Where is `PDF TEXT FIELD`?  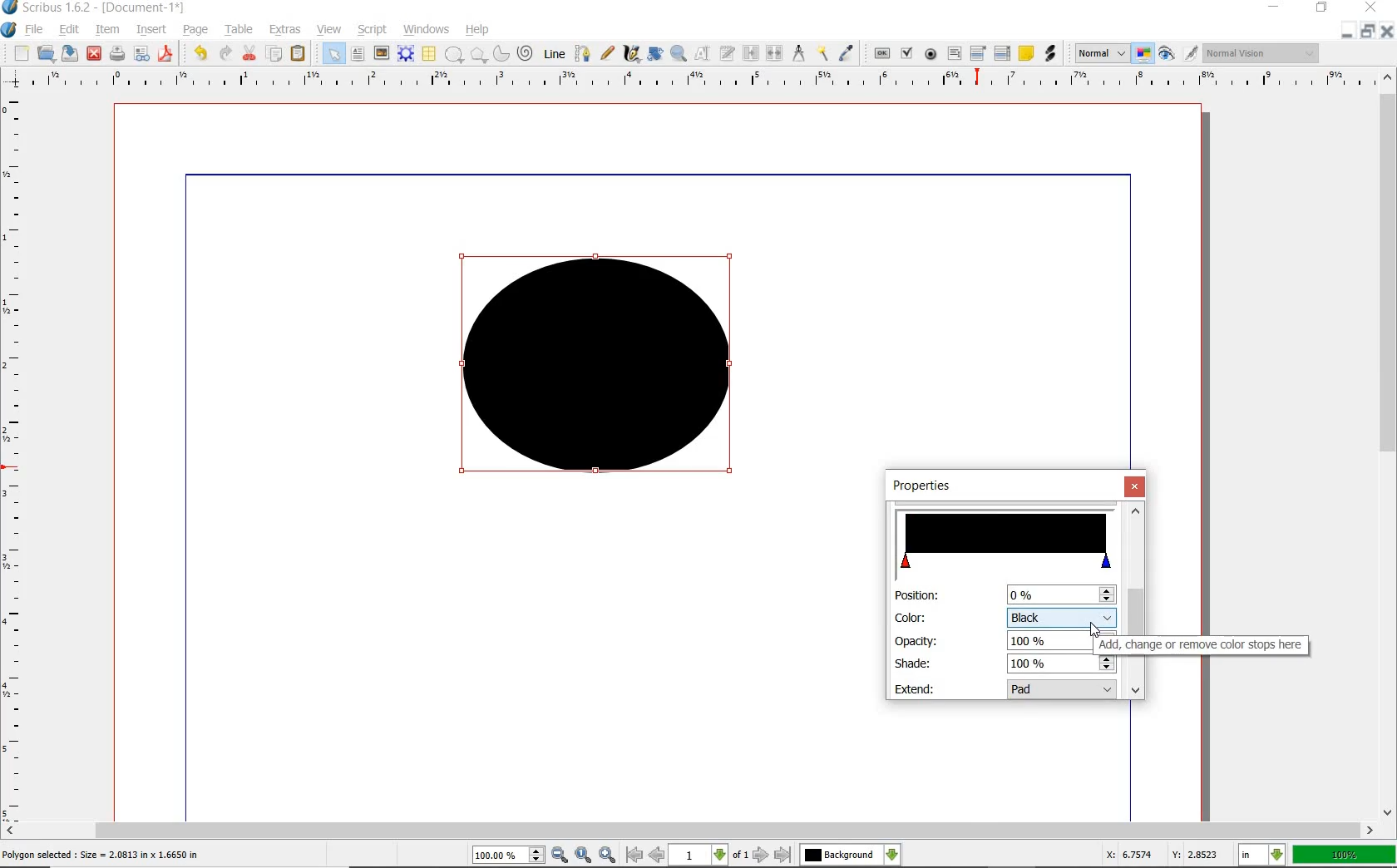
PDF TEXT FIELD is located at coordinates (954, 53).